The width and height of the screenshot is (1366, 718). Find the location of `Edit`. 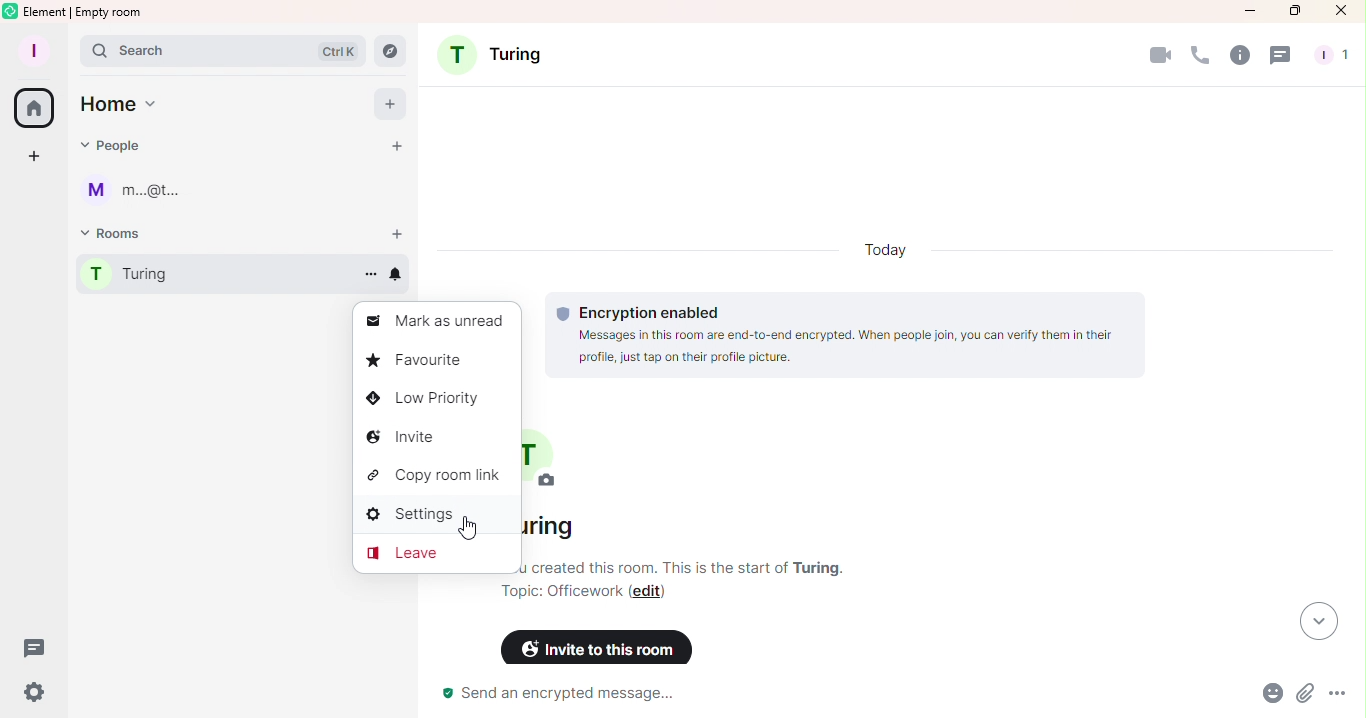

Edit is located at coordinates (654, 592).